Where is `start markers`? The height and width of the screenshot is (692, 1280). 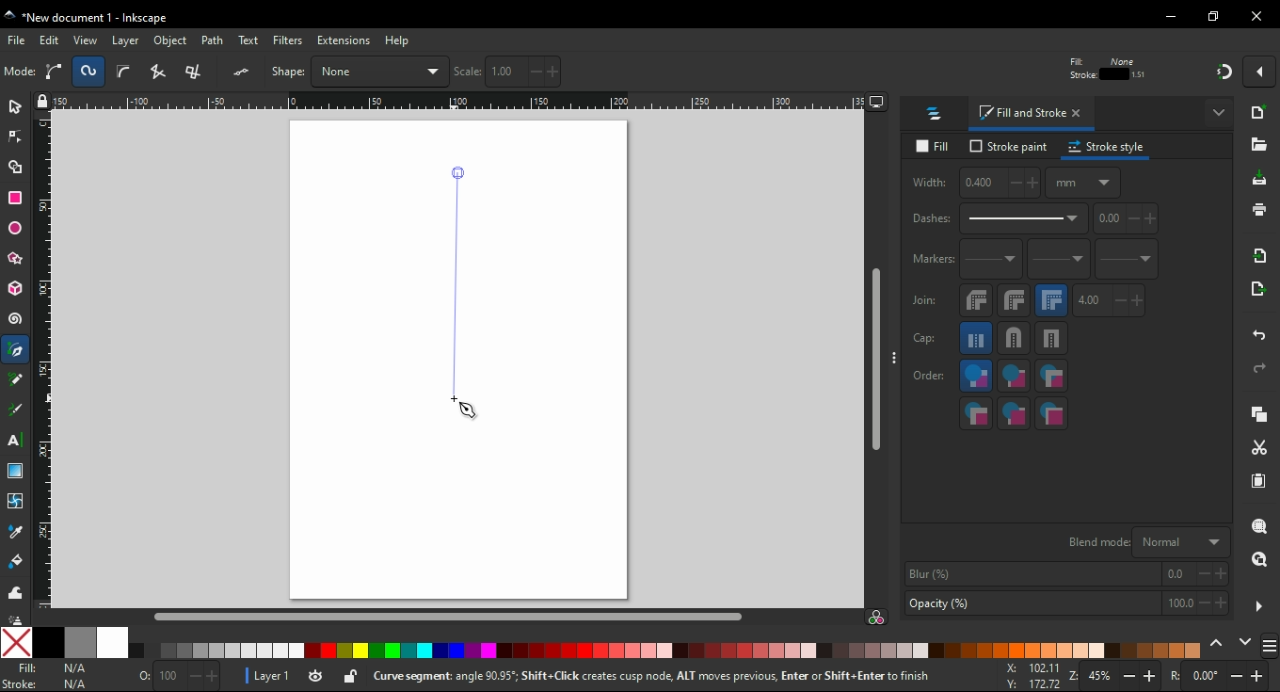
start markers is located at coordinates (991, 260).